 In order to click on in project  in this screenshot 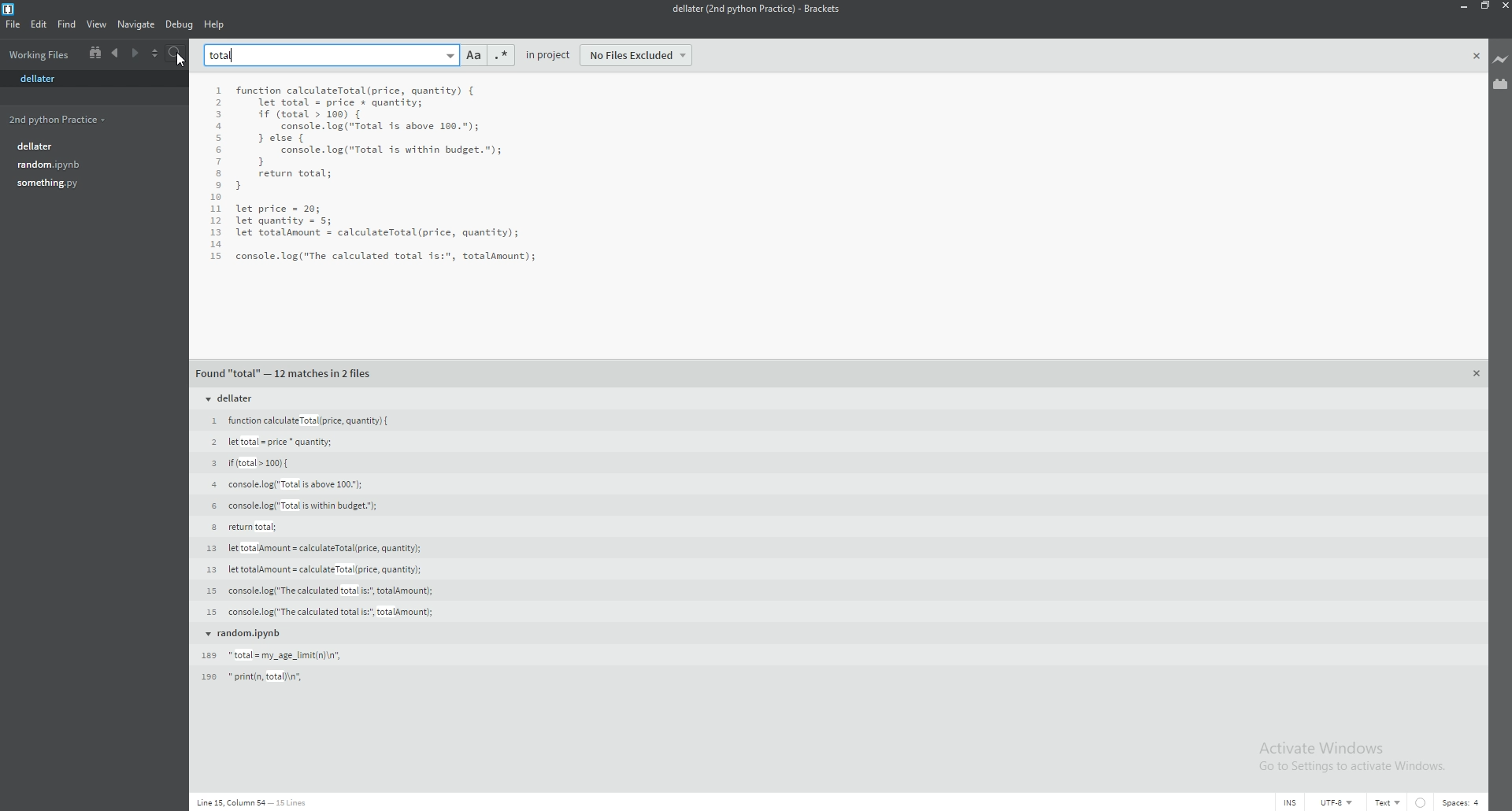, I will do `click(548, 55)`.